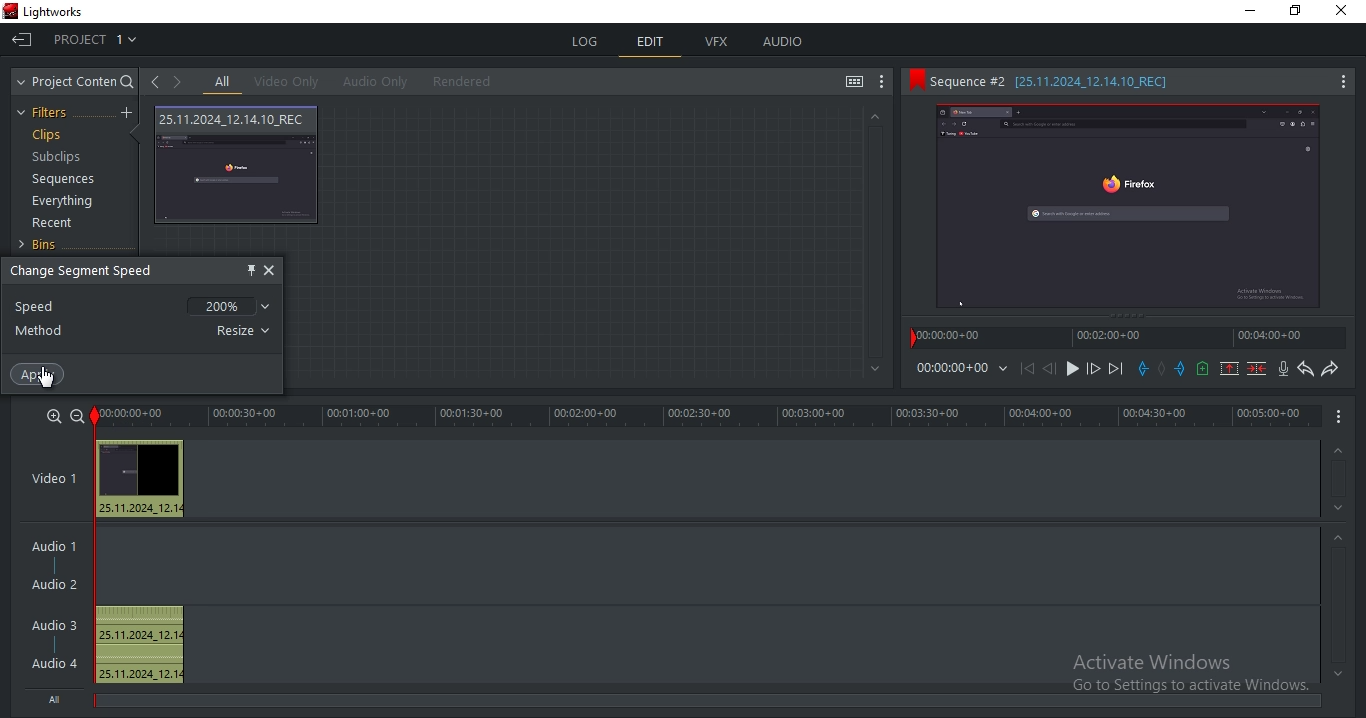 This screenshot has height=718, width=1366. I want to click on add a out mark, so click(1180, 368).